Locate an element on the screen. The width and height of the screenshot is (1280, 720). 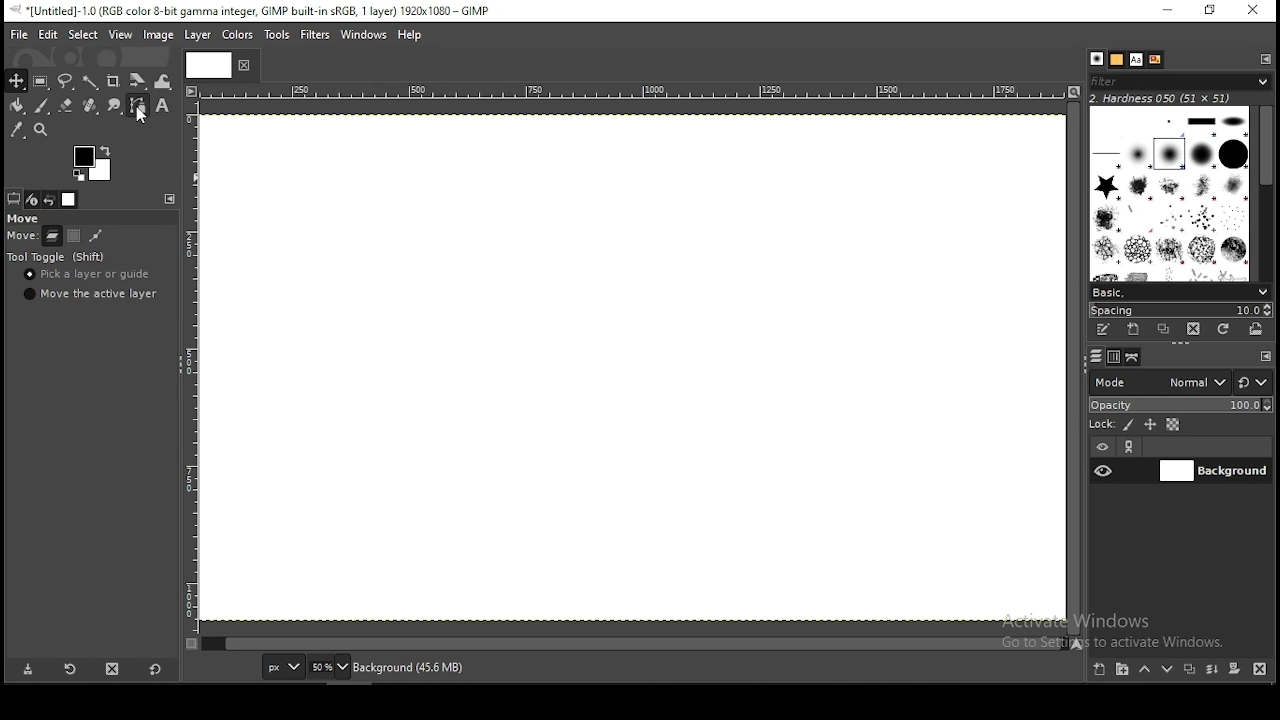
filters is located at coordinates (1184, 83).